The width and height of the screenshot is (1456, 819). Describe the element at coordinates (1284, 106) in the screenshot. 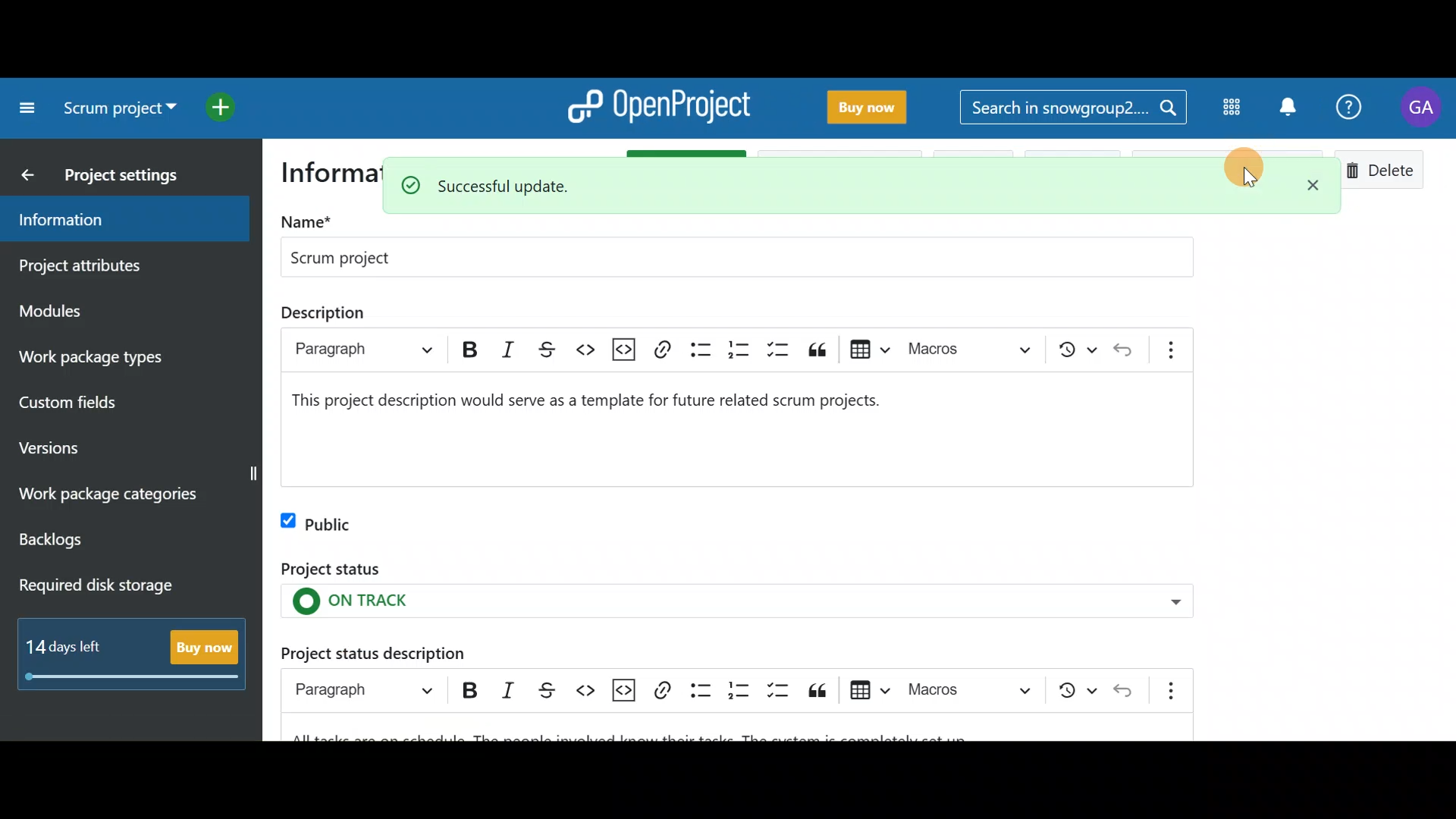

I see `Notification centre` at that location.